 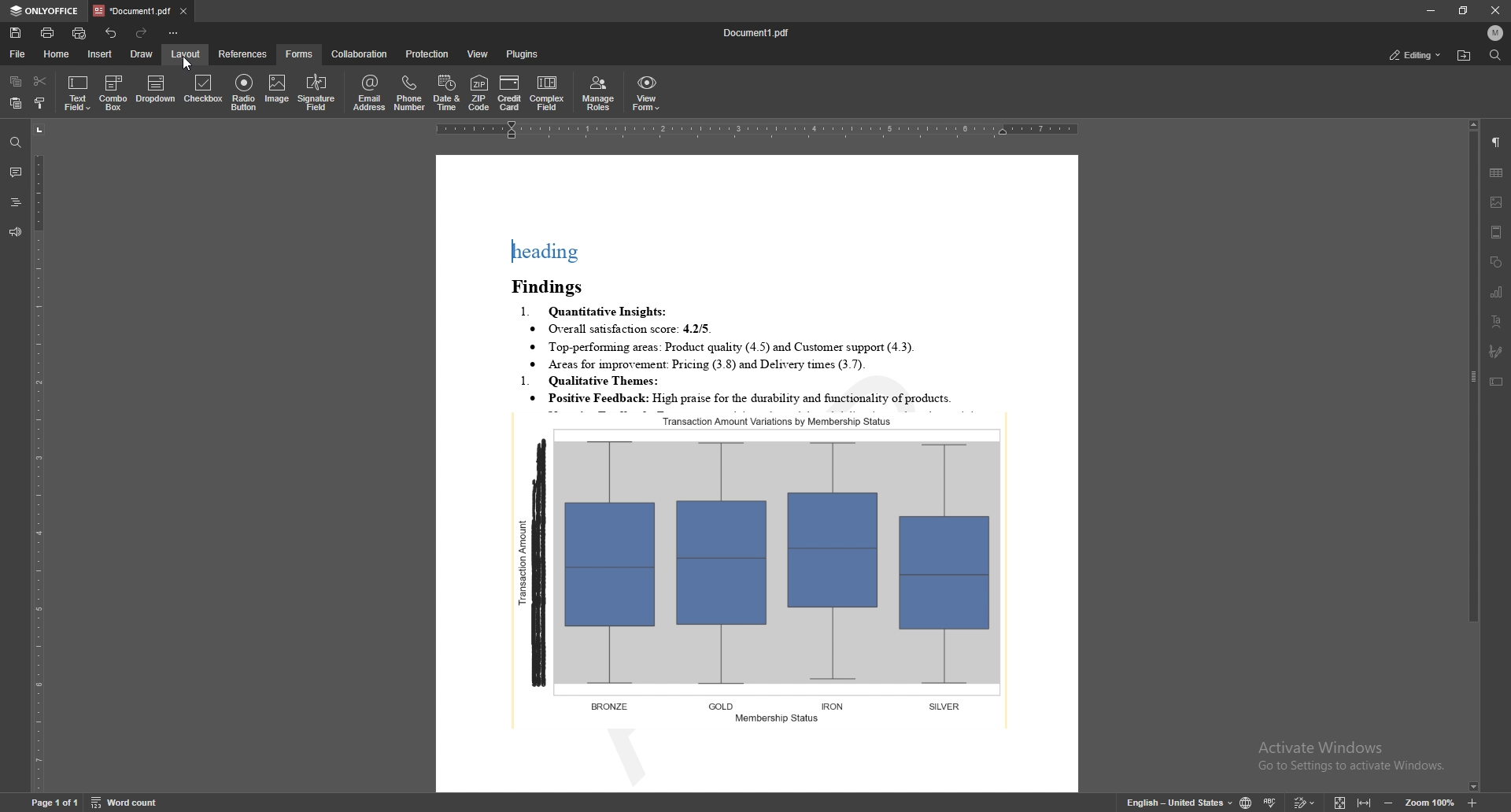 What do you see at coordinates (39, 456) in the screenshot?
I see `vertical scale` at bounding box center [39, 456].